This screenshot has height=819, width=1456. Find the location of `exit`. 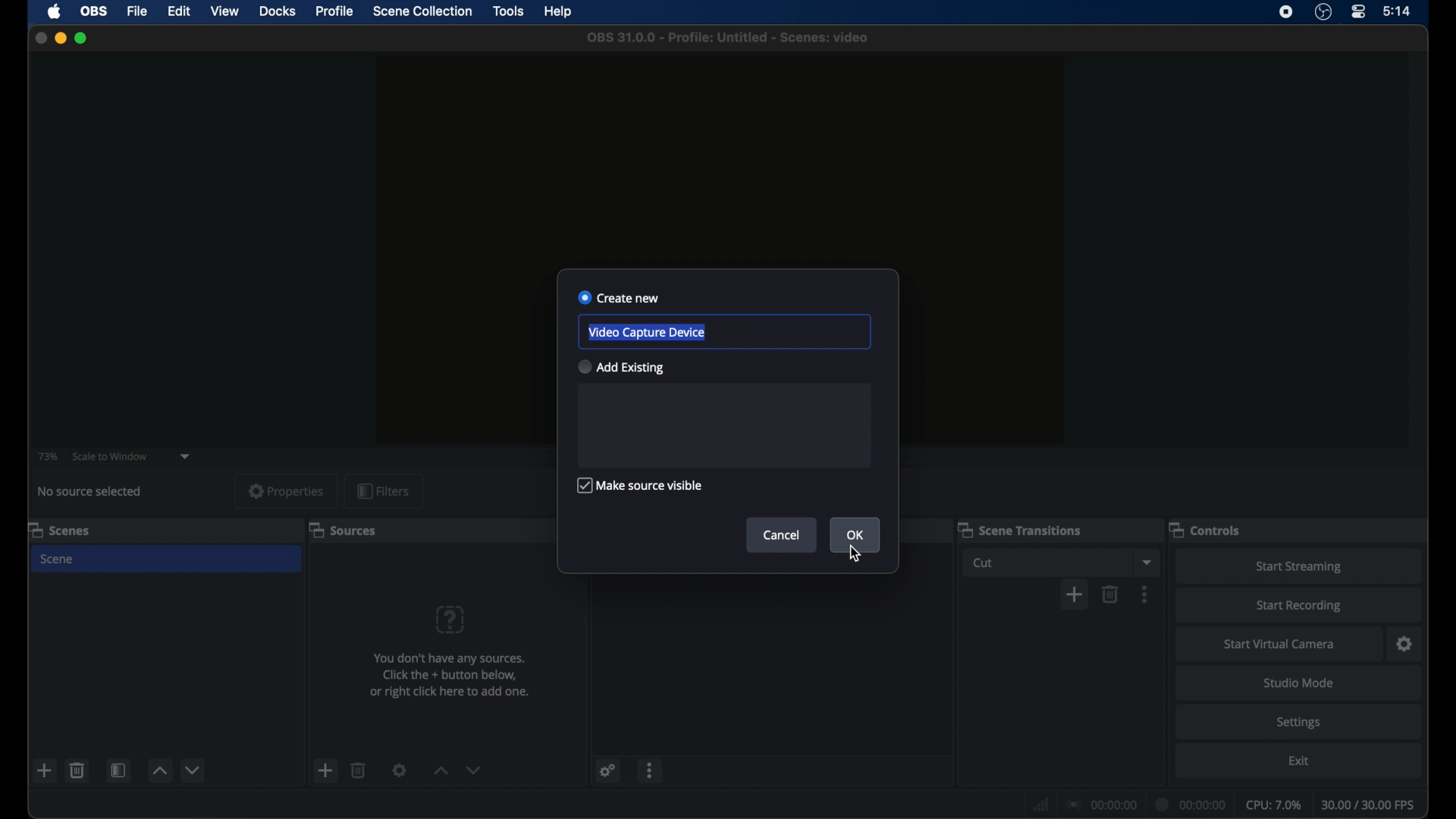

exit is located at coordinates (1298, 761).